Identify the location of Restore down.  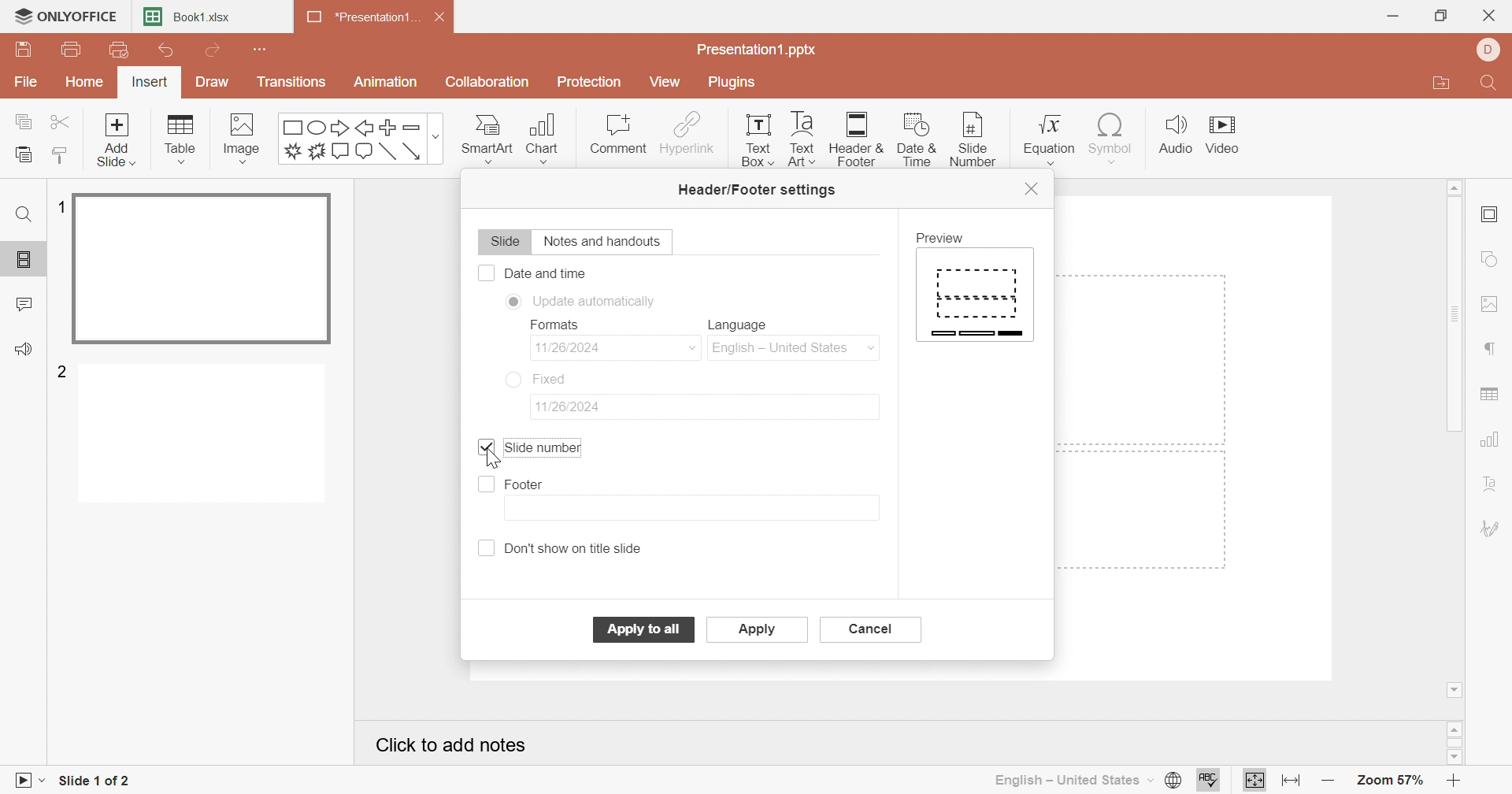
(1443, 15).